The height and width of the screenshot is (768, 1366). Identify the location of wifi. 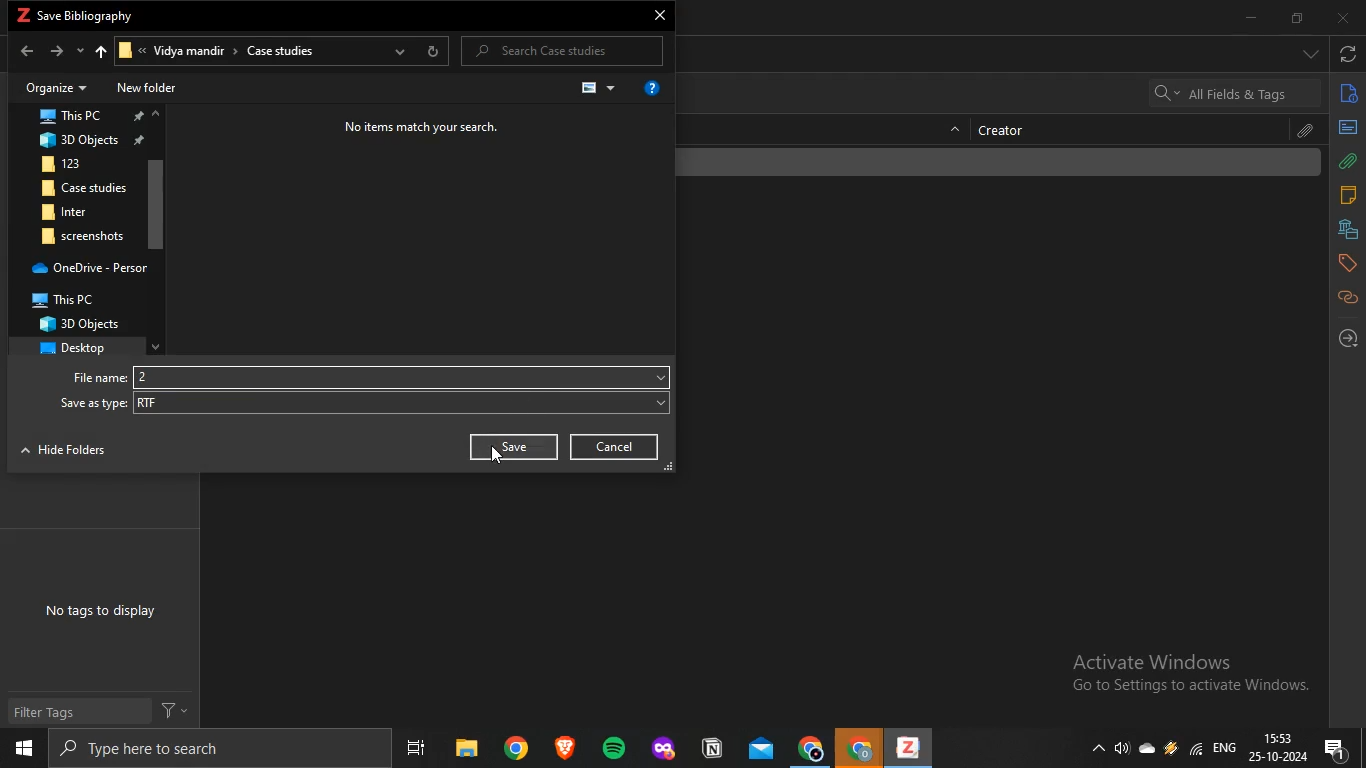
(1196, 748).